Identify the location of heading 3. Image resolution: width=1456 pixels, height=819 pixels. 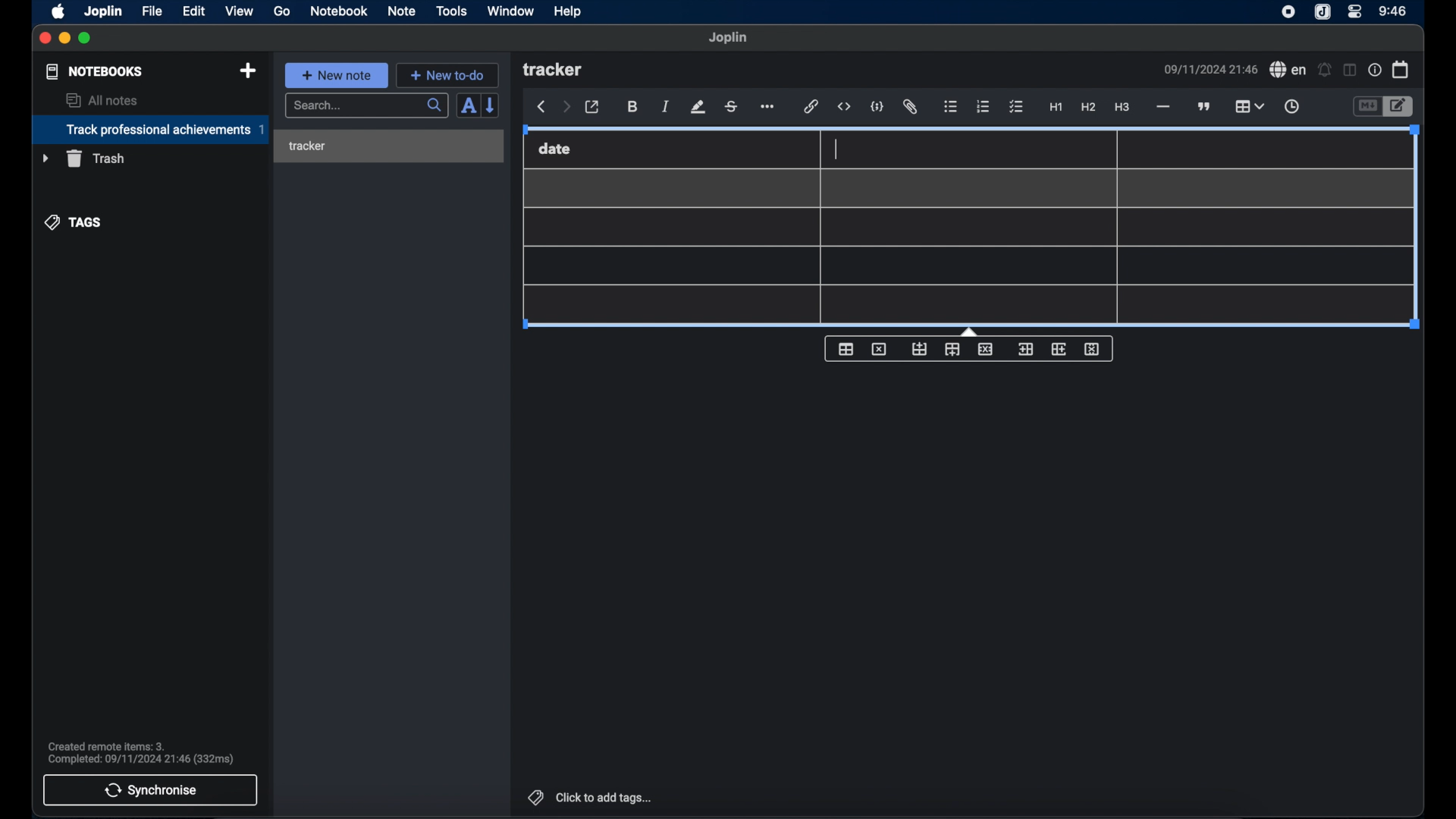
(1123, 108).